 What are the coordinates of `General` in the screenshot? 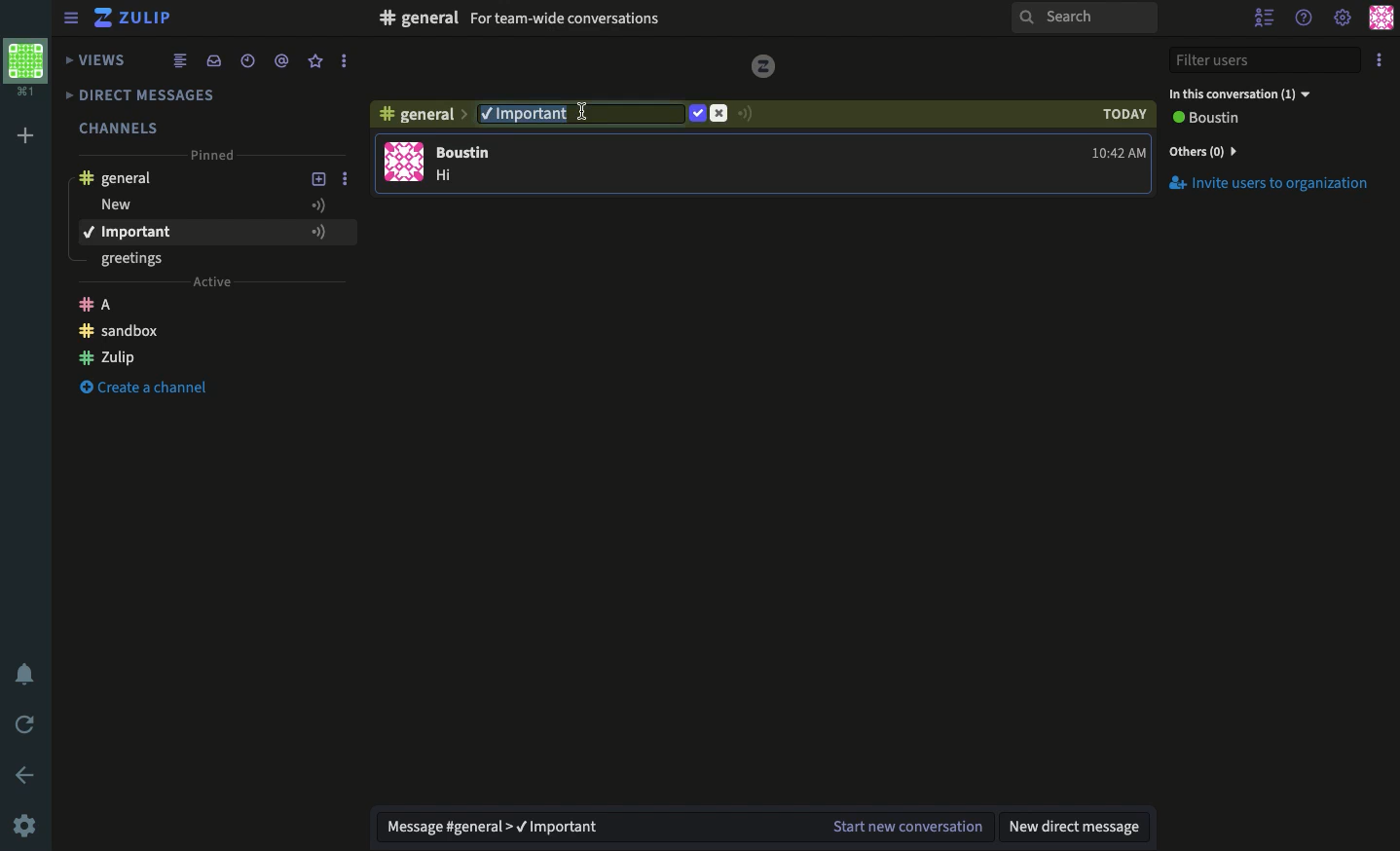 It's located at (125, 177).